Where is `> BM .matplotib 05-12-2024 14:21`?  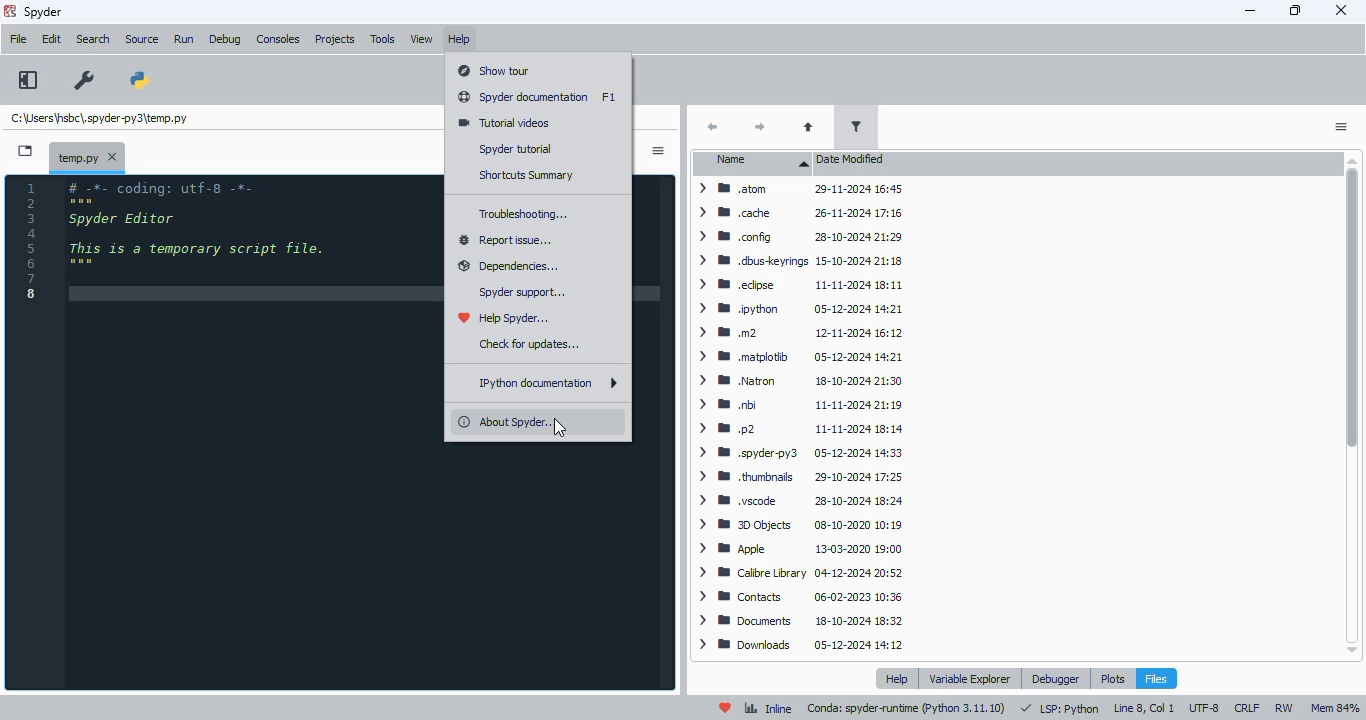
> BM .matplotib 05-12-2024 14:21 is located at coordinates (797, 355).